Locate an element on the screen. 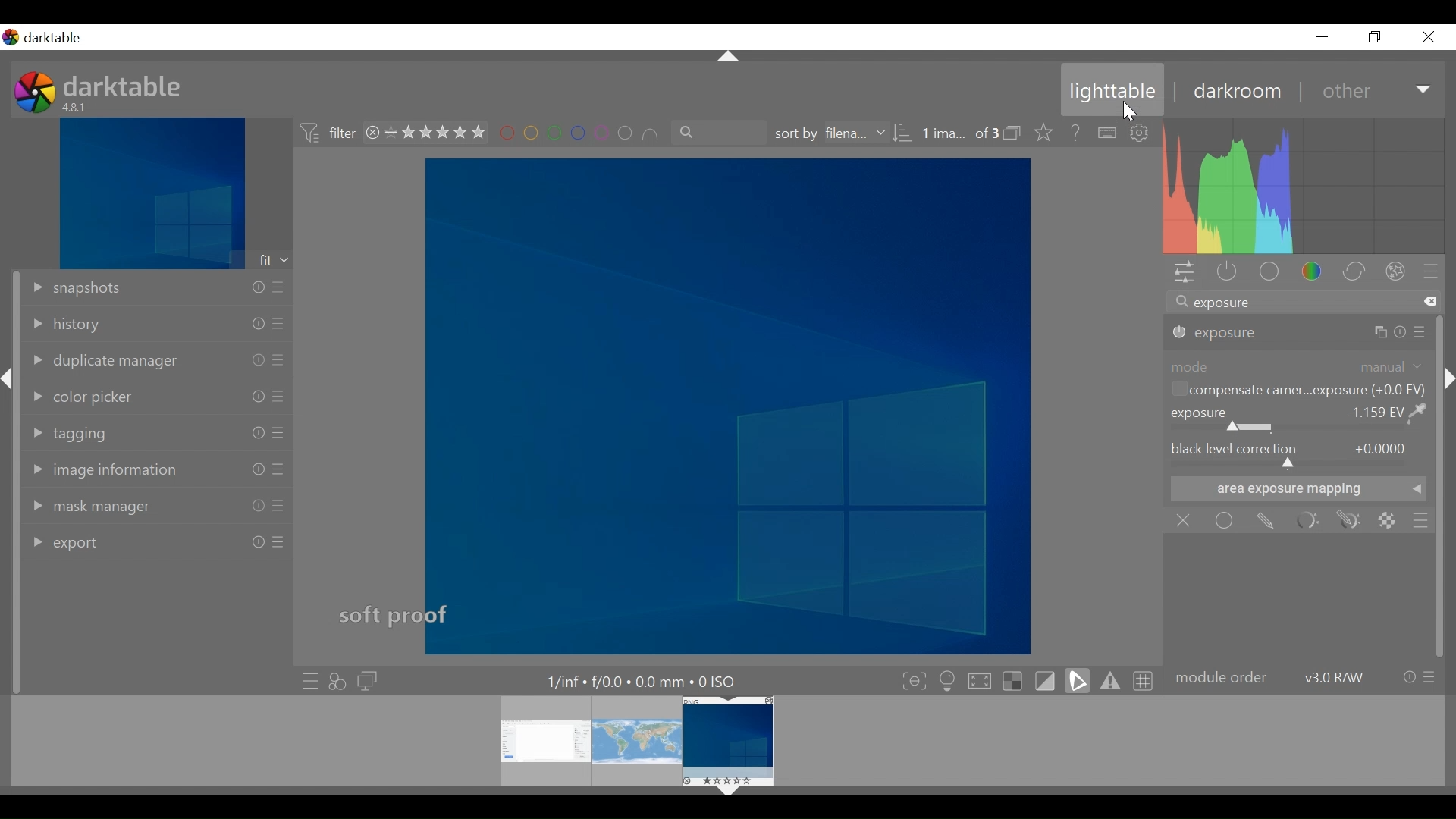 The height and width of the screenshot is (819, 1456). drawn and parametric mask is located at coordinates (1349, 521).